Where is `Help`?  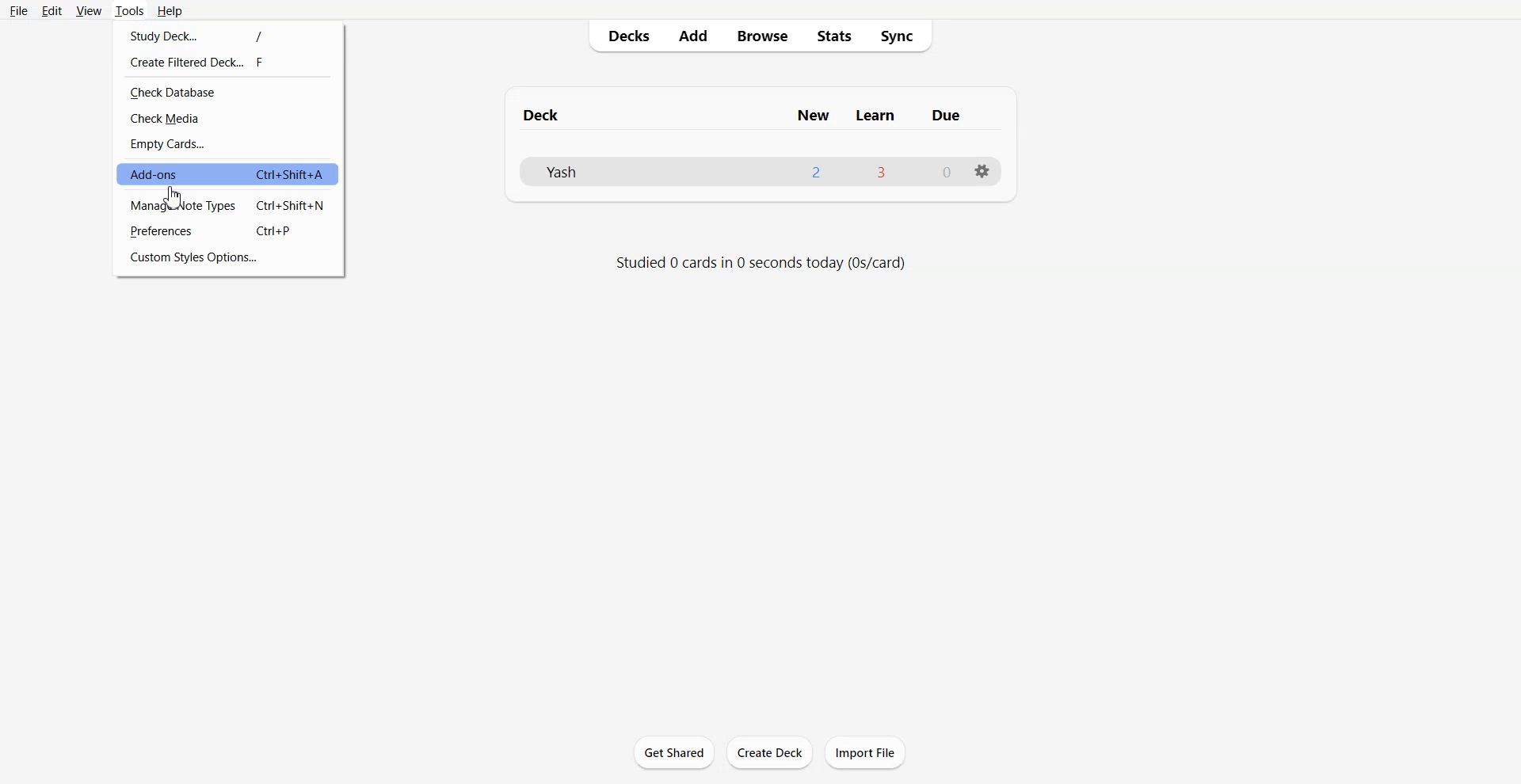
Help is located at coordinates (169, 11).